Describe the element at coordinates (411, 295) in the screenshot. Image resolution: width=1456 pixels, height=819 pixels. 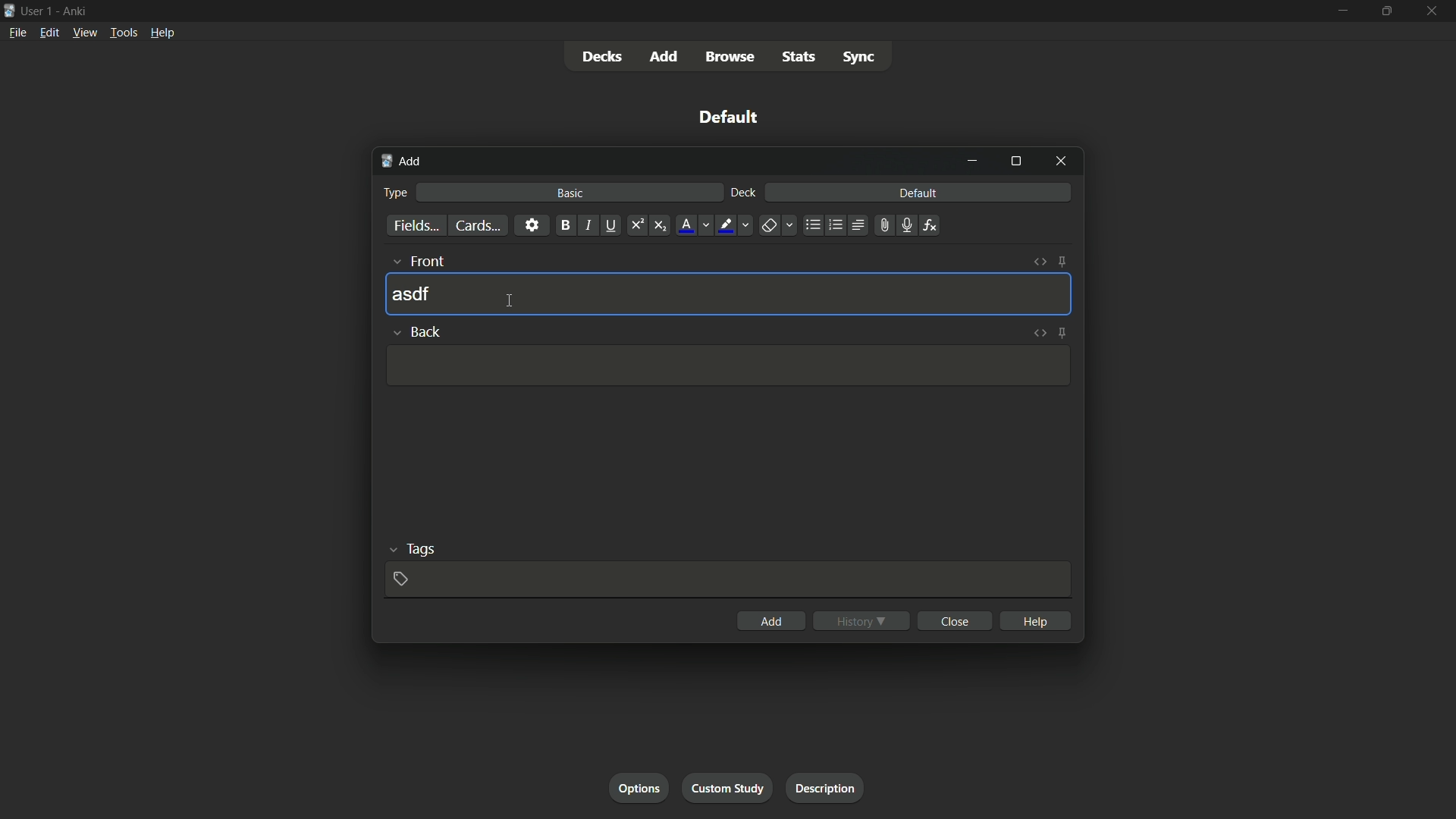
I see `asdf` at that location.